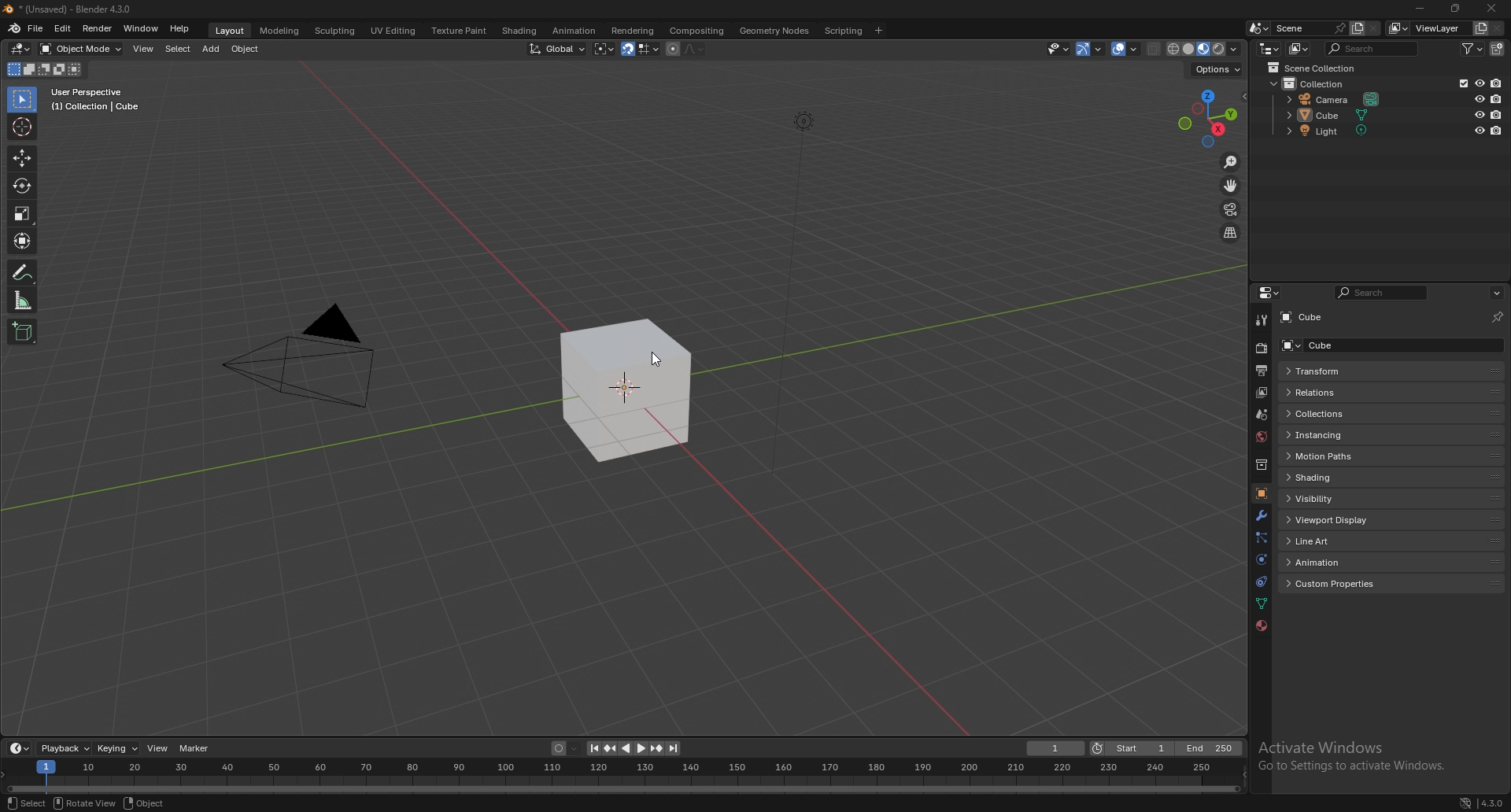 Image resolution: width=1511 pixels, height=812 pixels. Describe the element at coordinates (1307, 28) in the screenshot. I see `scene` at that location.